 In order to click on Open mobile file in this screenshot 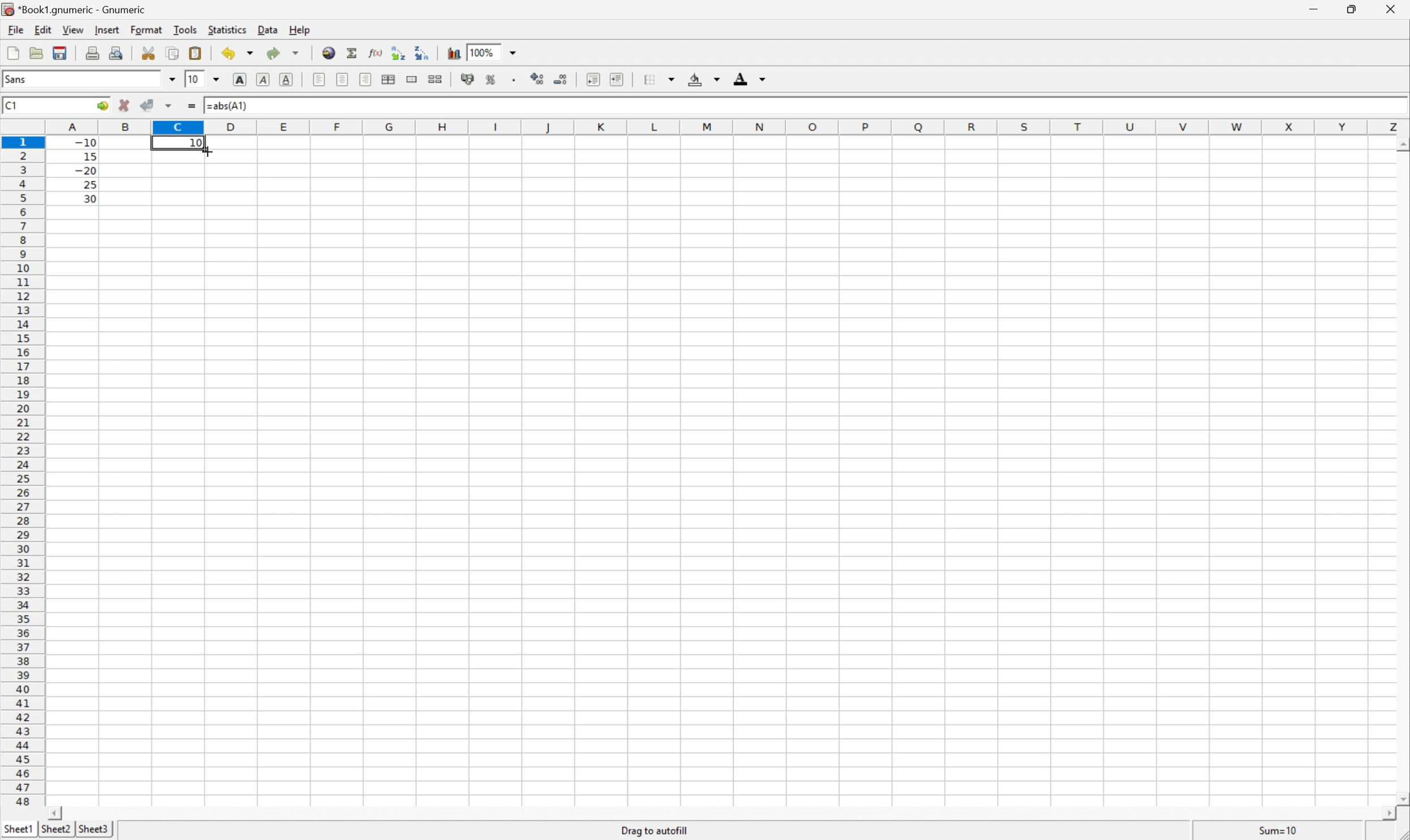, I will do `click(58, 53)`.